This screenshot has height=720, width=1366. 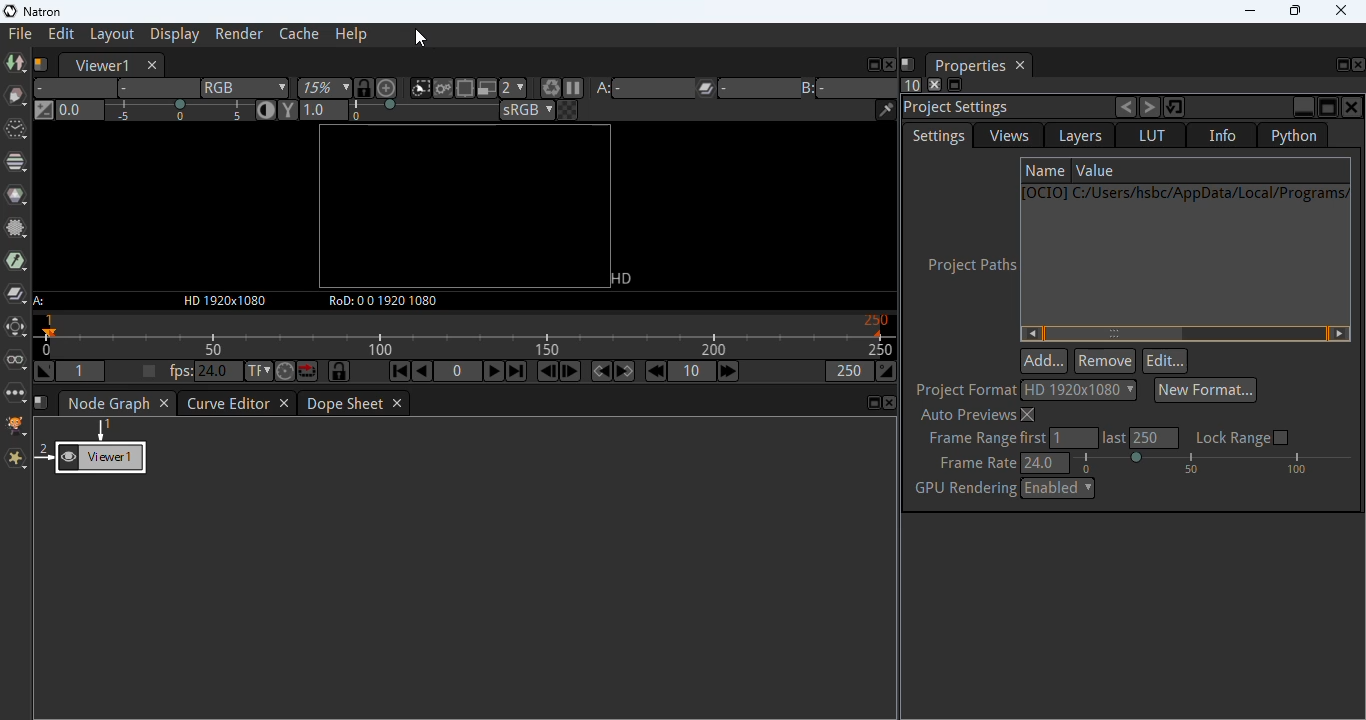 What do you see at coordinates (1044, 462) in the screenshot?
I see `24` at bounding box center [1044, 462].